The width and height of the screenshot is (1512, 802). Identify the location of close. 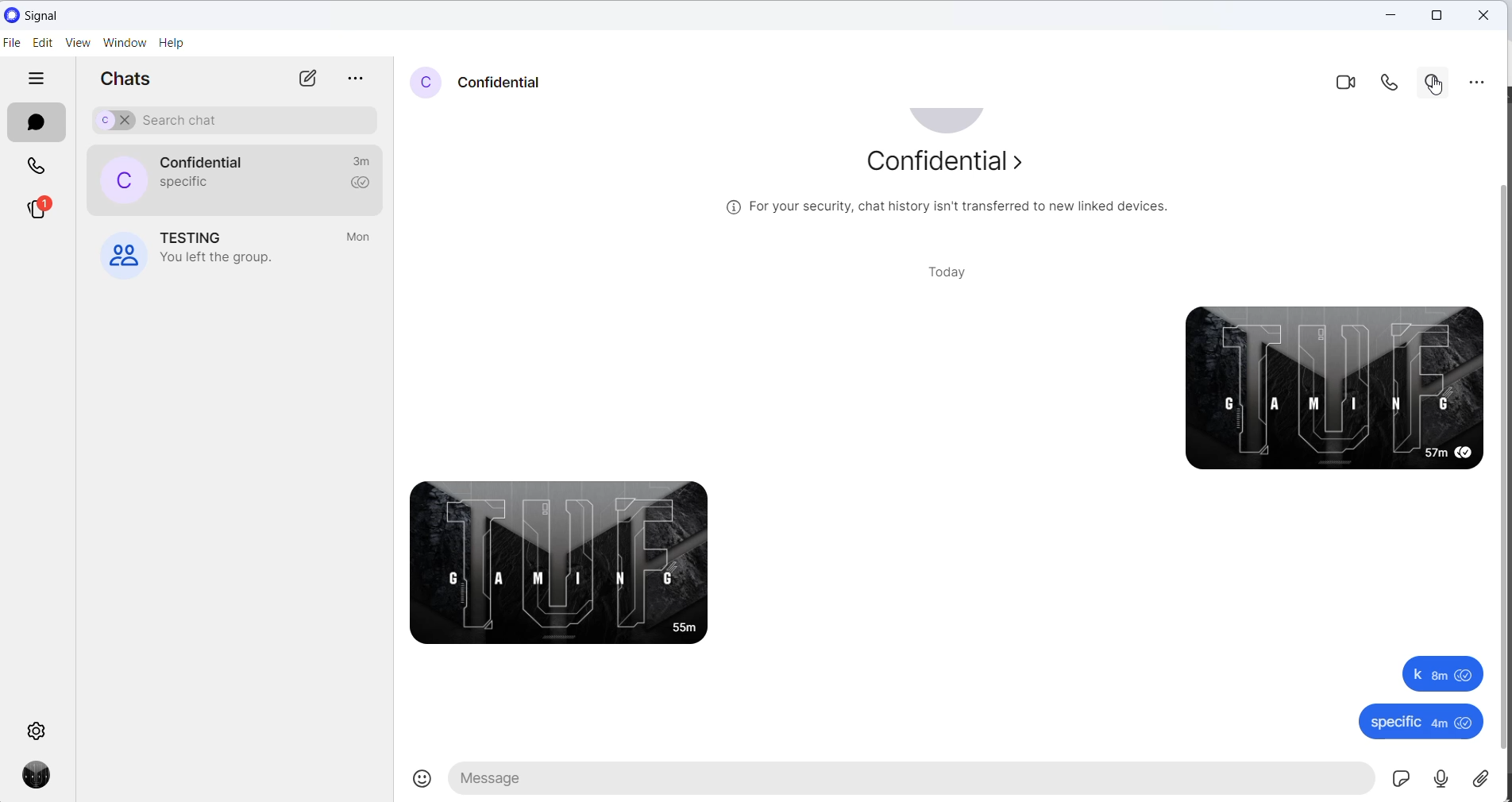
(1393, 15).